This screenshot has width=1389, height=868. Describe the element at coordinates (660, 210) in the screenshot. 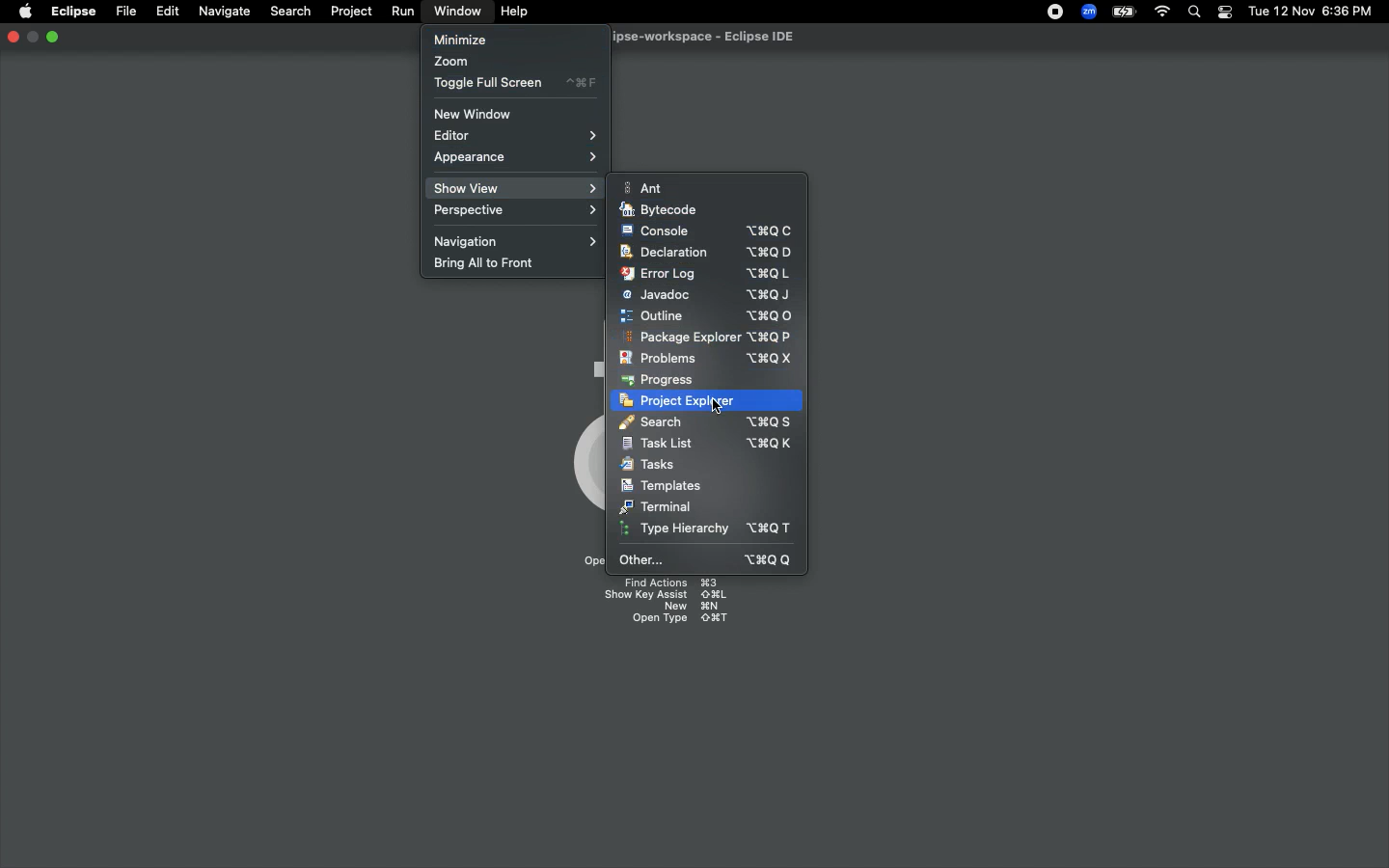

I see `Bytecode` at that location.